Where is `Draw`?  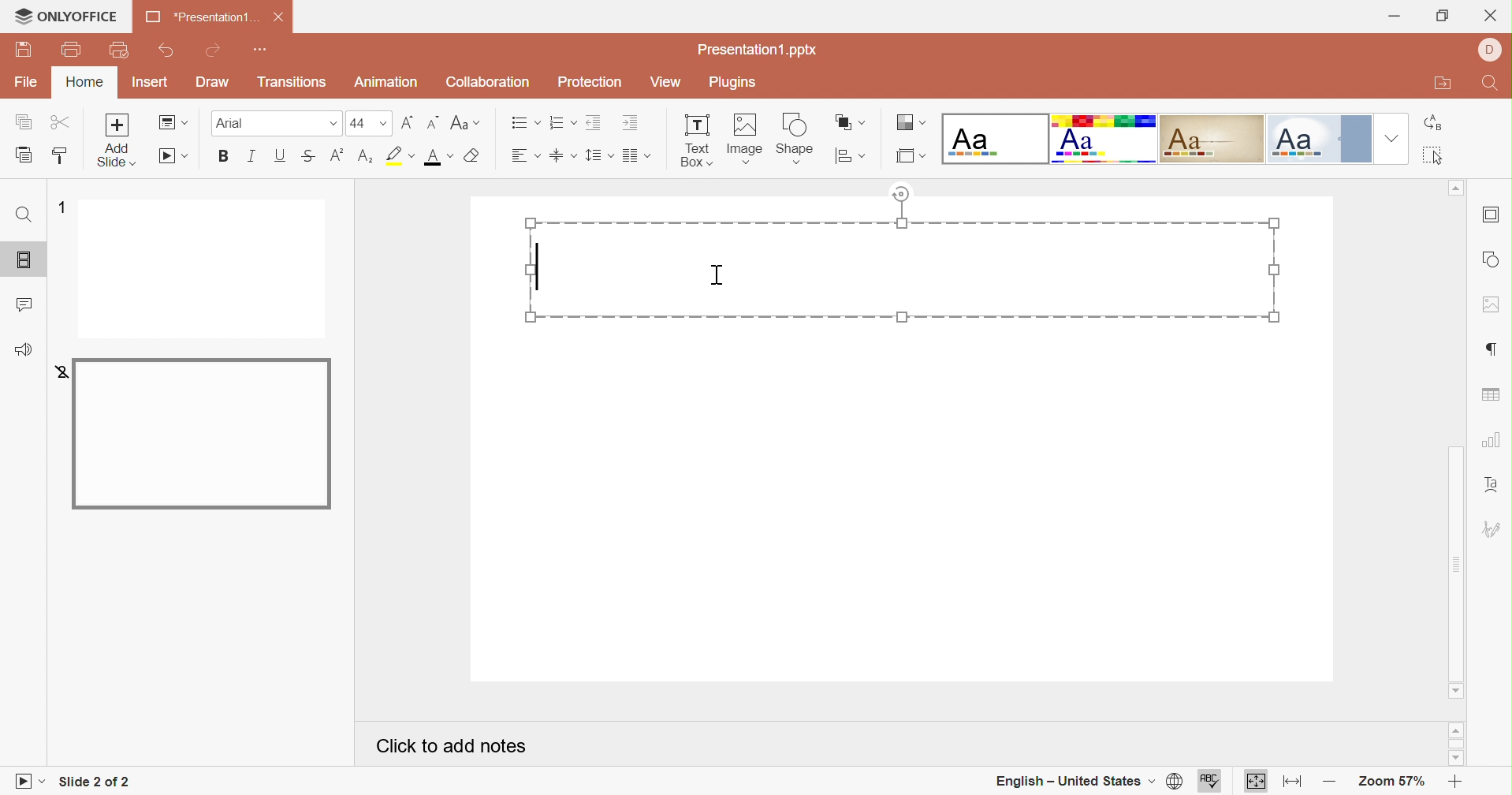 Draw is located at coordinates (210, 82).